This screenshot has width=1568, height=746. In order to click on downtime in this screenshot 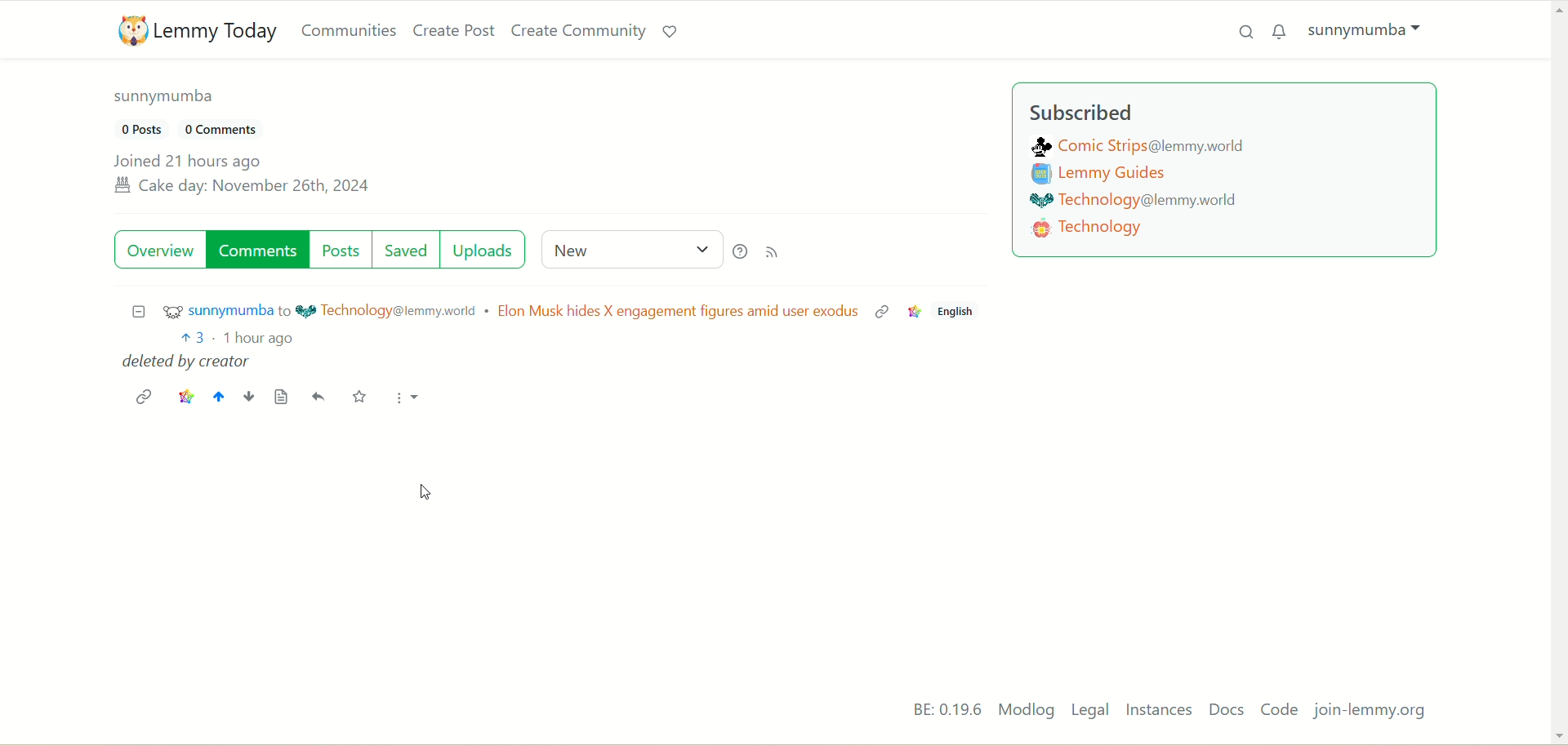, I will do `click(247, 397)`.